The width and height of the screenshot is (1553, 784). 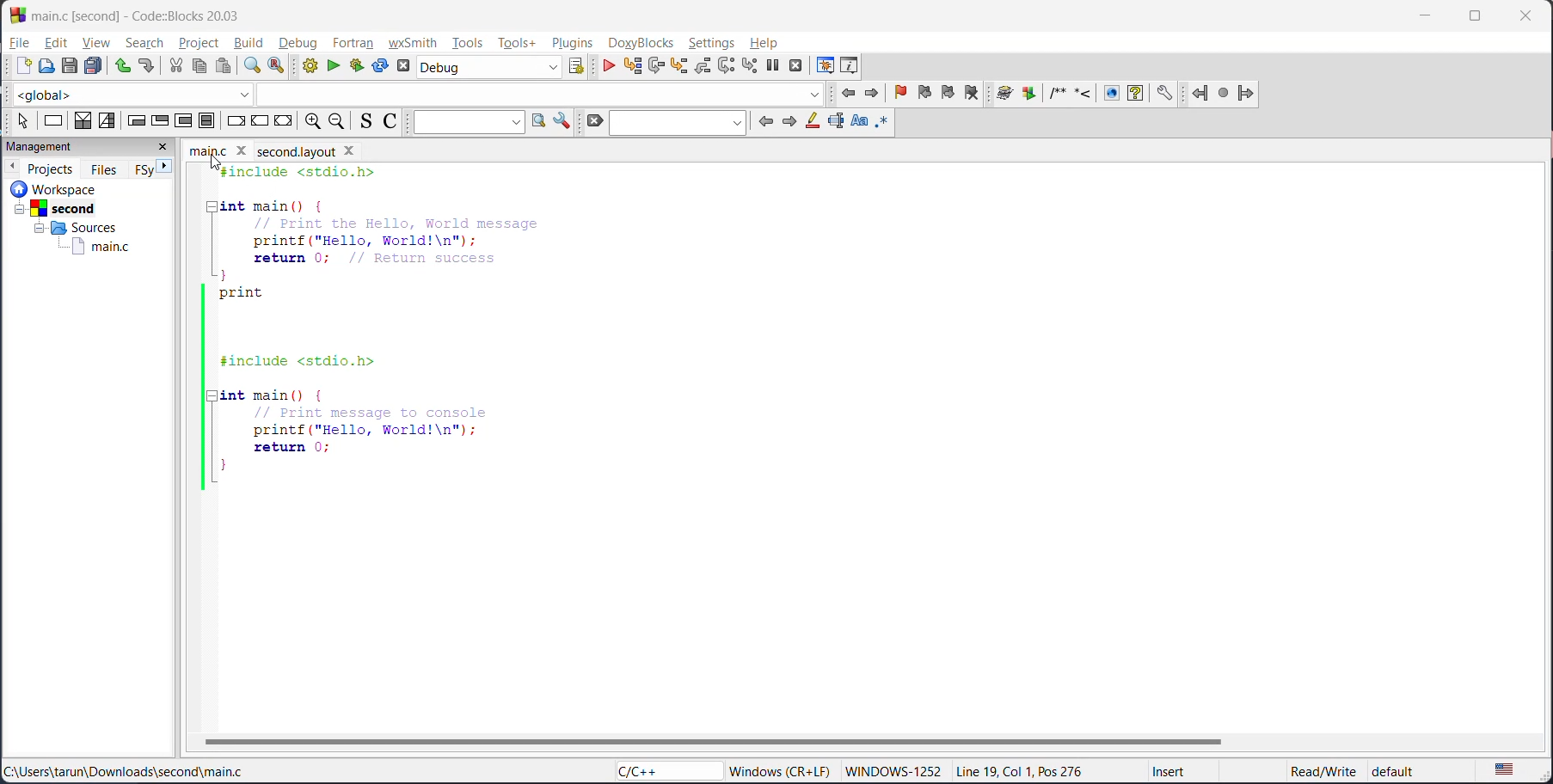 What do you see at coordinates (166, 168) in the screenshot?
I see `next` at bounding box center [166, 168].